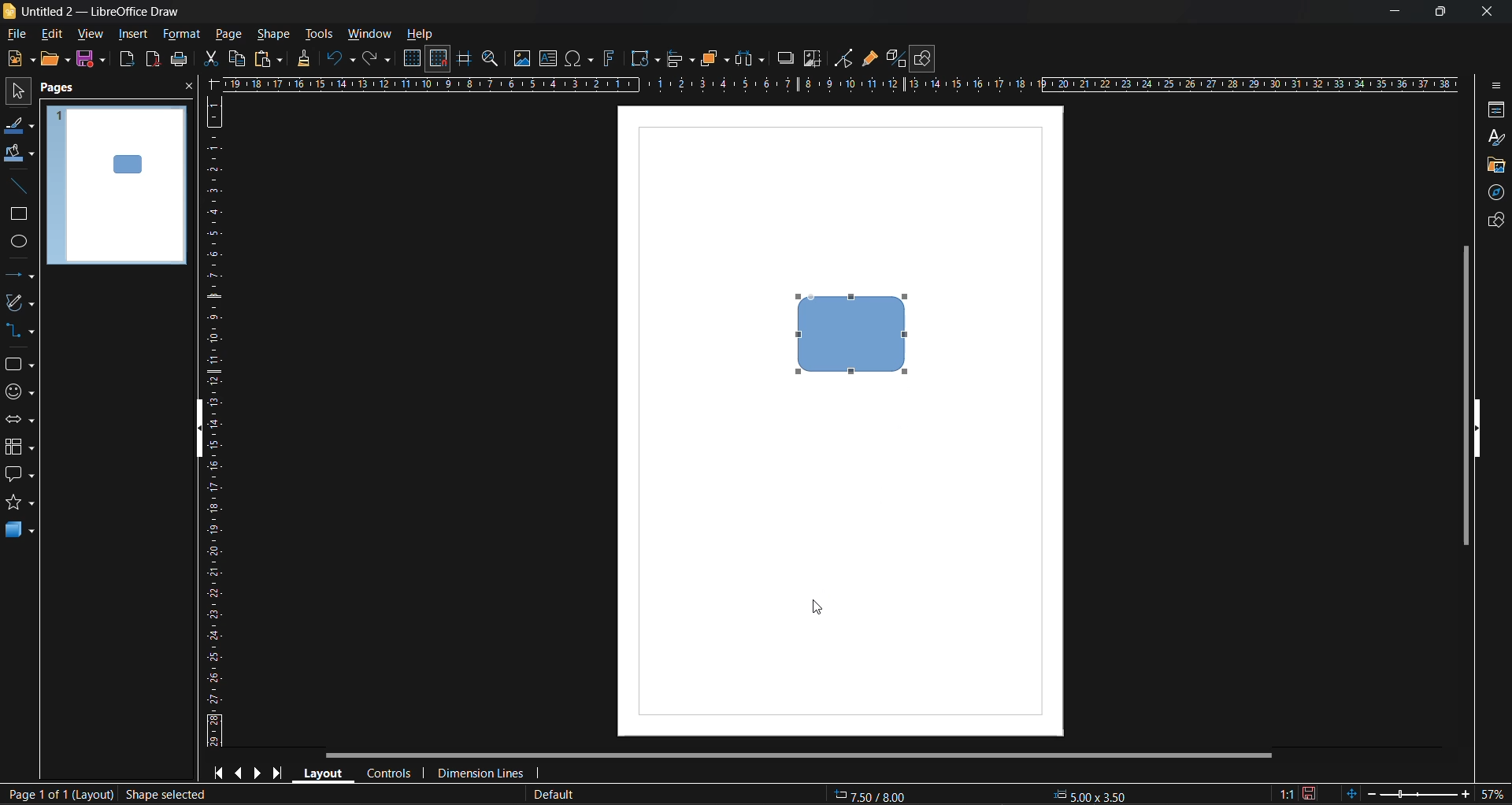 The height and width of the screenshot is (805, 1512). I want to click on curves and polygons, so click(20, 301).